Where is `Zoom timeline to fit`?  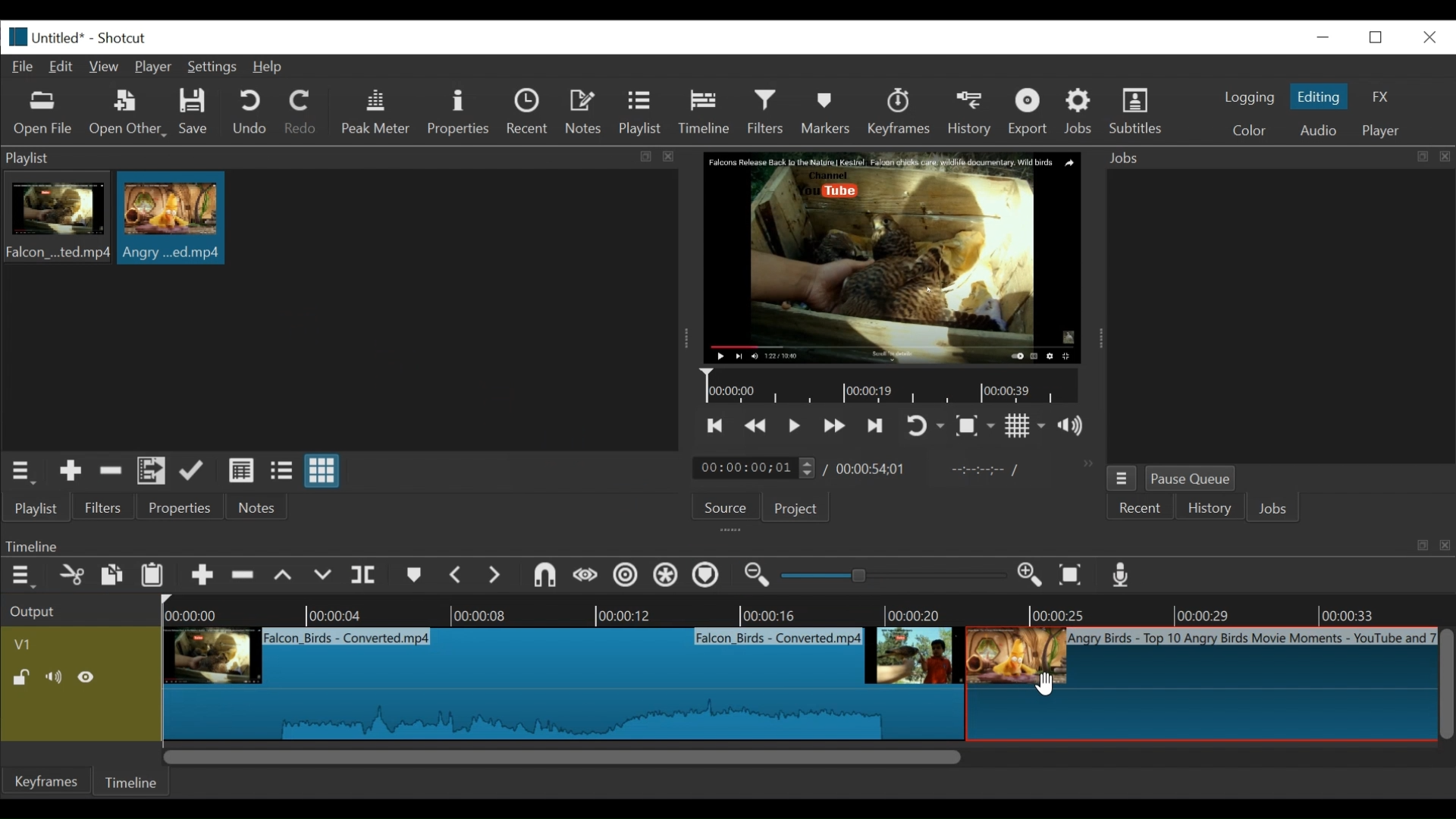
Zoom timeline to fit is located at coordinates (1075, 576).